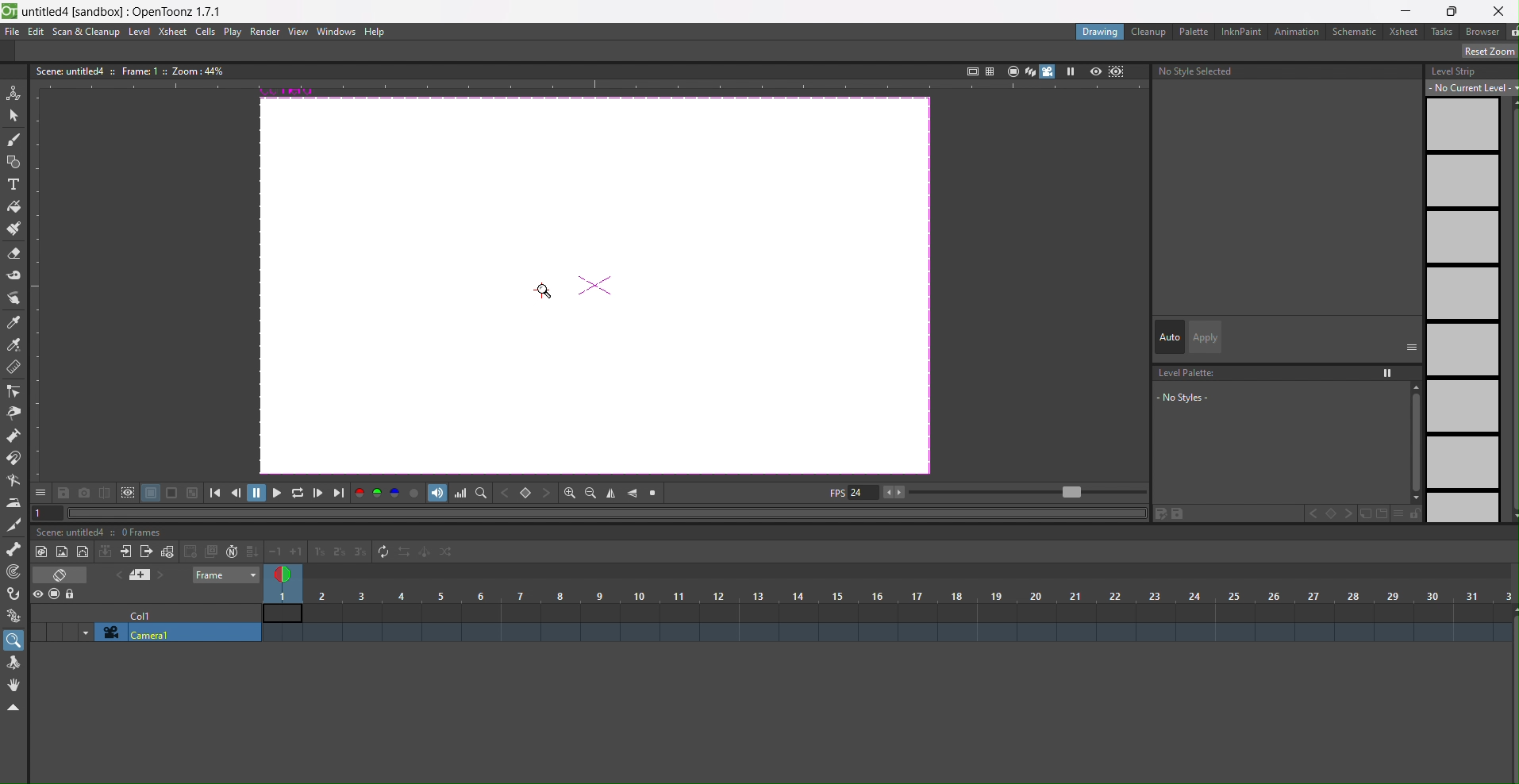 This screenshot has height=784, width=1519. I want to click on Cursor, so click(544, 290).